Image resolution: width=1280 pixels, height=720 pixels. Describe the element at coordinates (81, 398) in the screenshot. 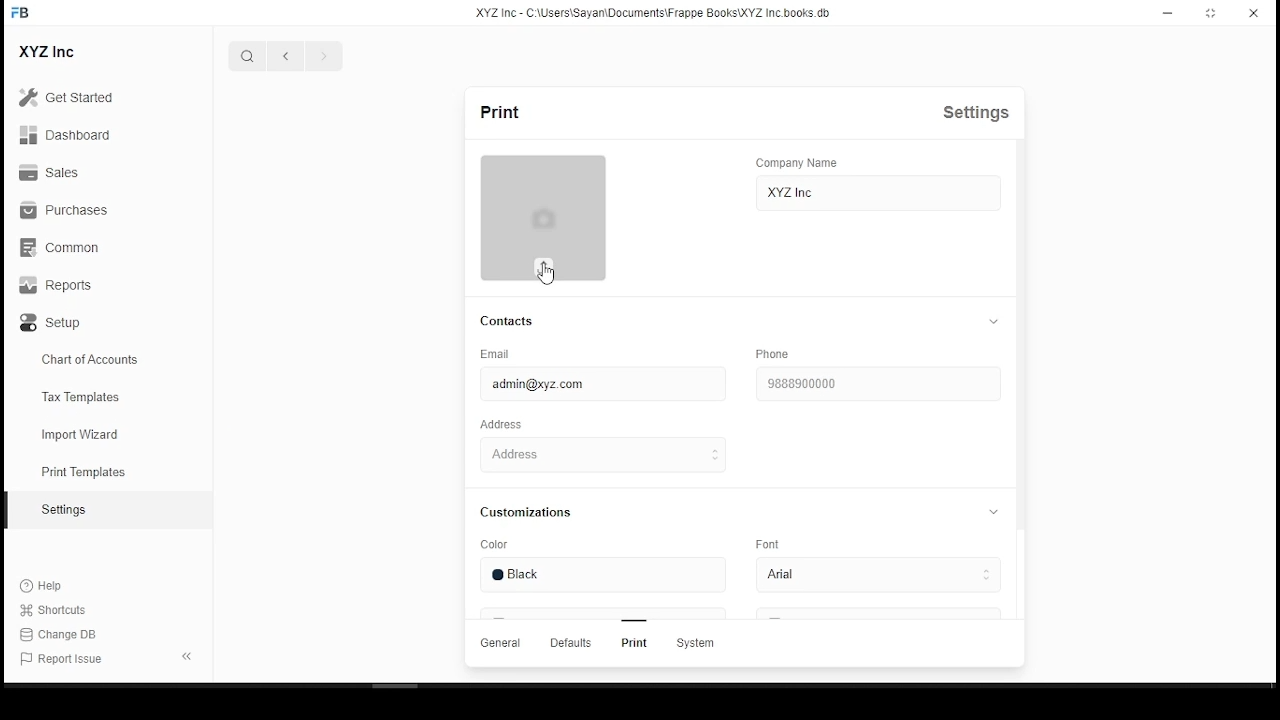

I see `Tax templates` at that location.